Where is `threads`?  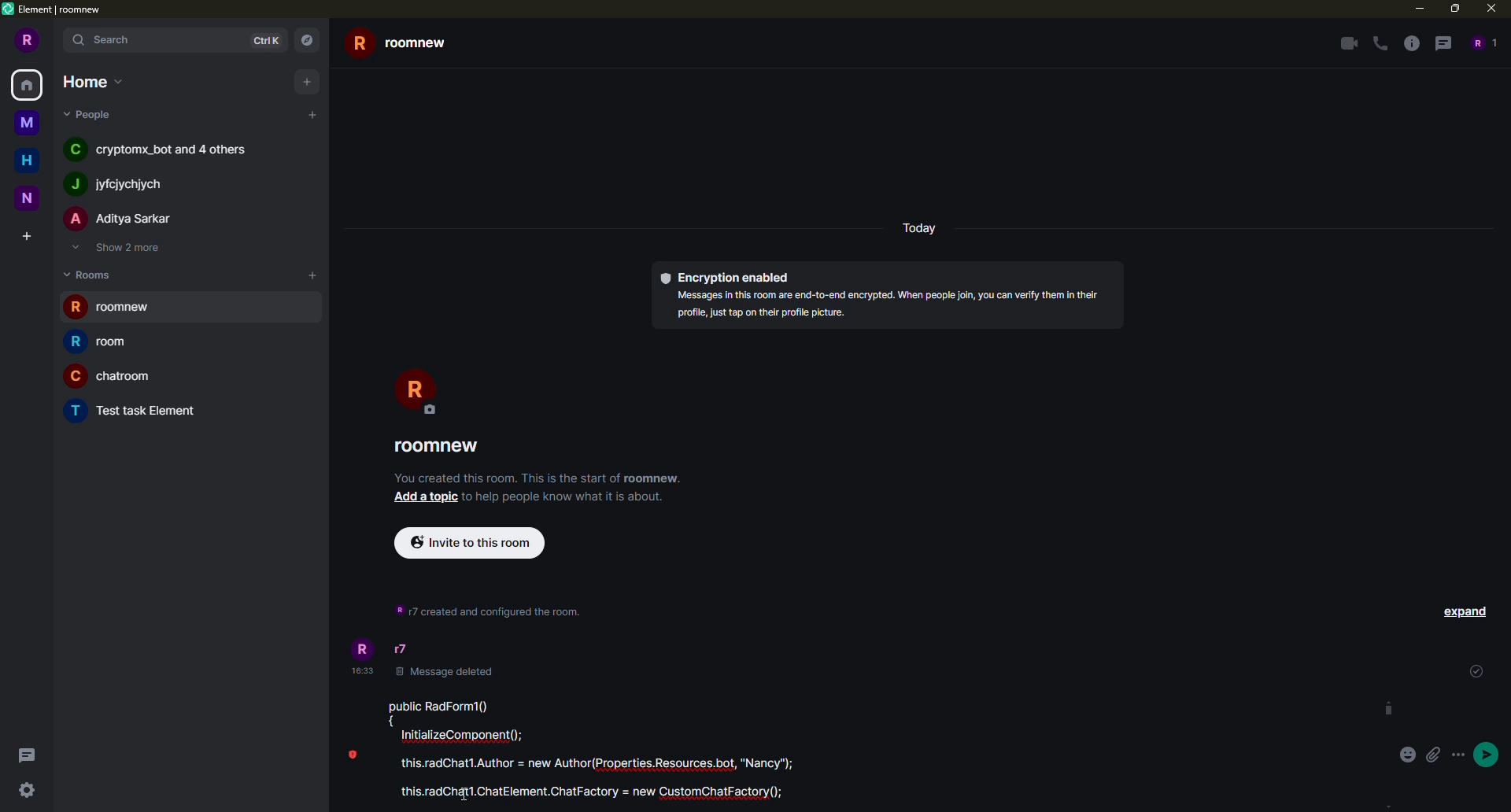
threads is located at coordinates (1443, 42).